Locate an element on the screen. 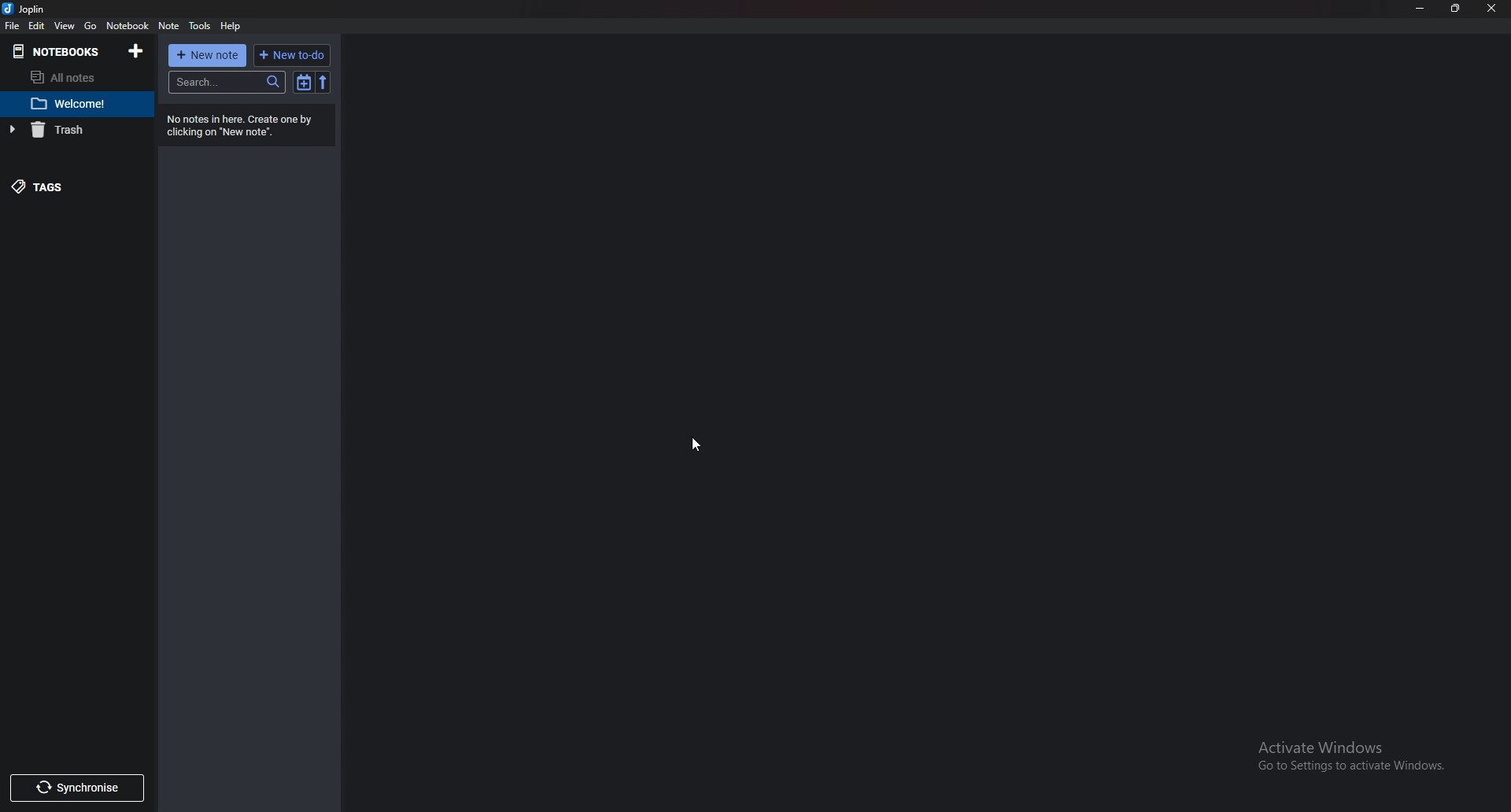  resize is located at coordinates (1454, 8).